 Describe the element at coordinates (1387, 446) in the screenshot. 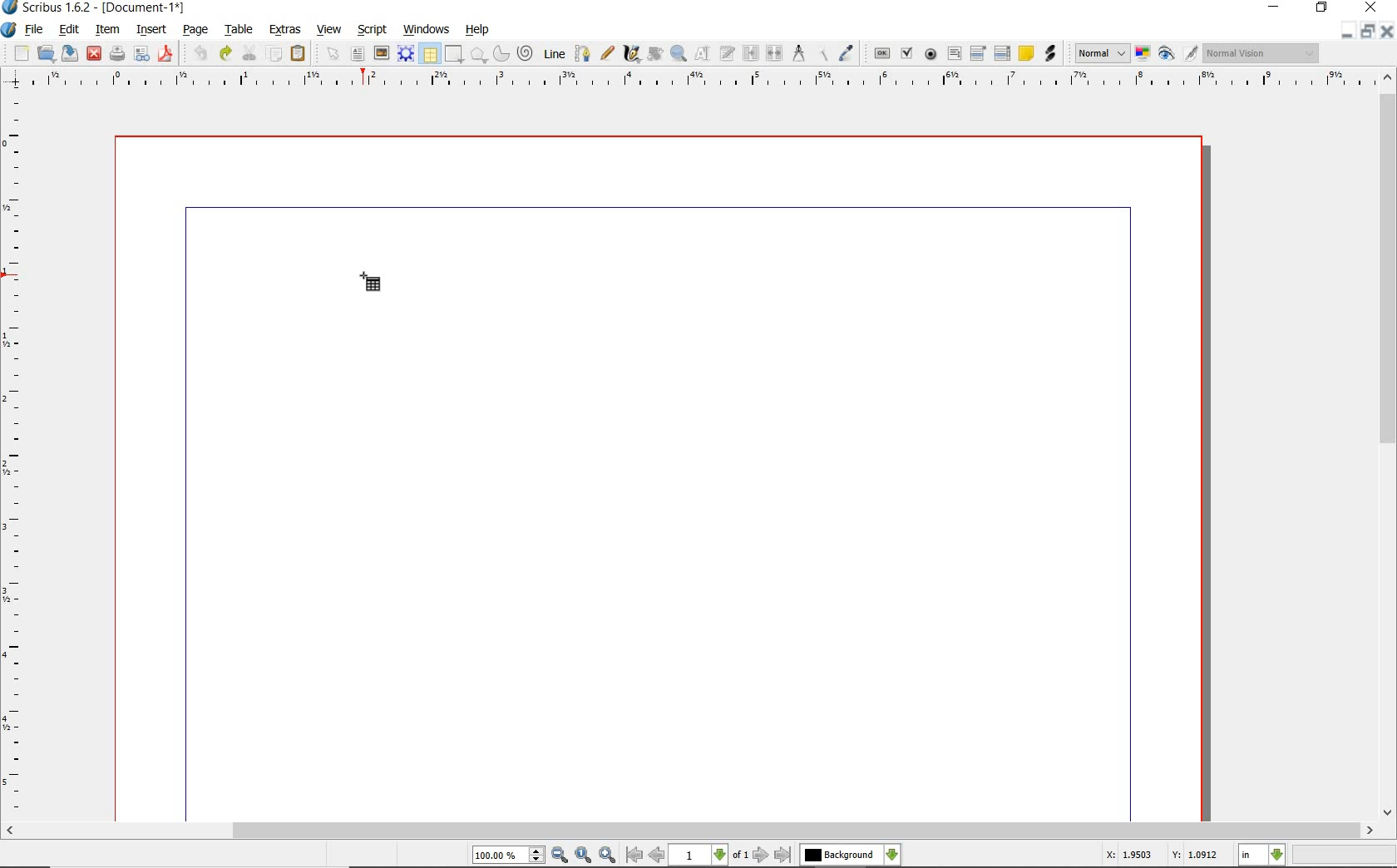

I see `scrollbar` at that location.